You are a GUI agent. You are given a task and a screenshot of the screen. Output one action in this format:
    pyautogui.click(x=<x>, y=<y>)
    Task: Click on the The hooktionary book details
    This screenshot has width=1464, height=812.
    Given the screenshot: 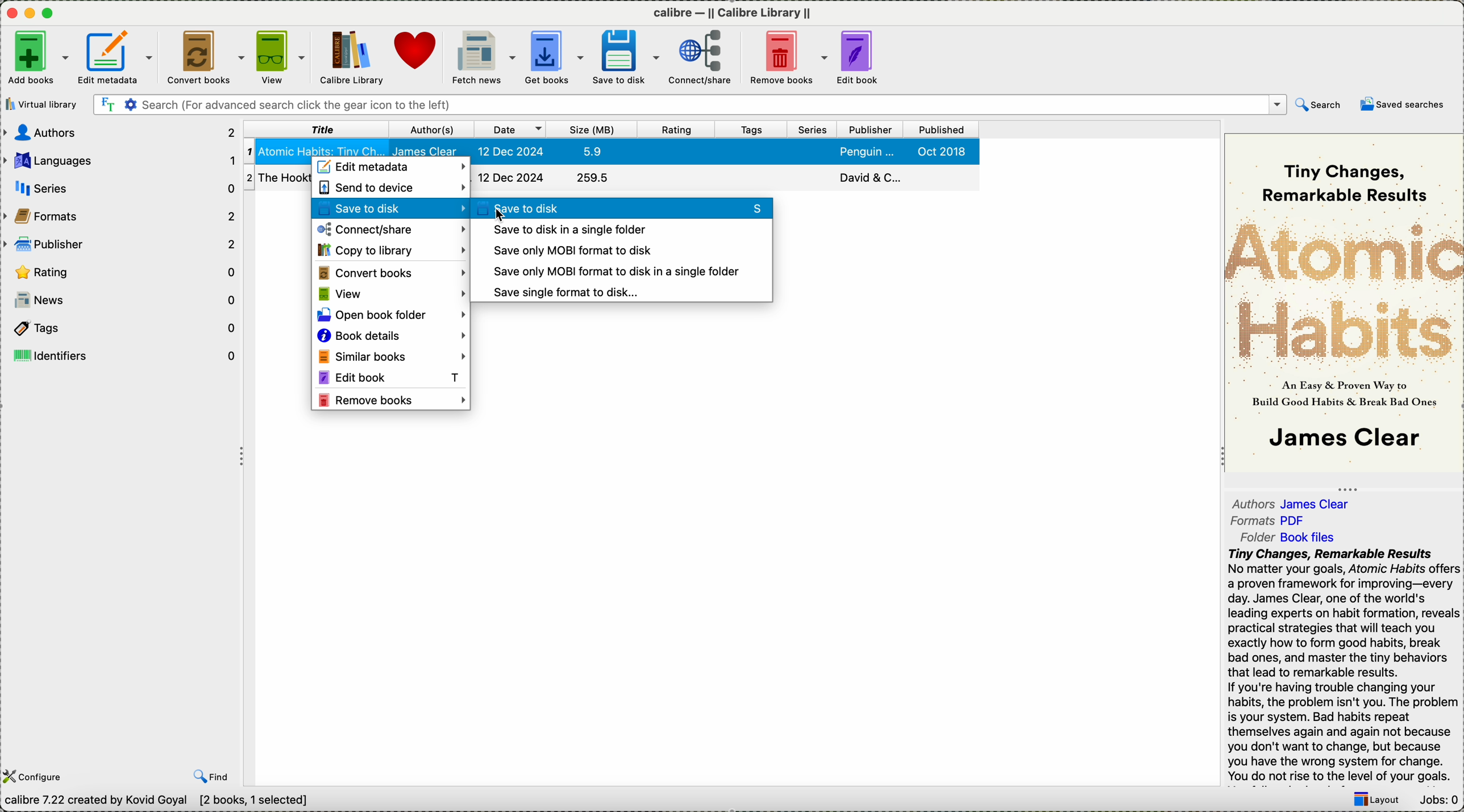 What is the action you would take?
    pyautogui.click(x=725, y=178)
    